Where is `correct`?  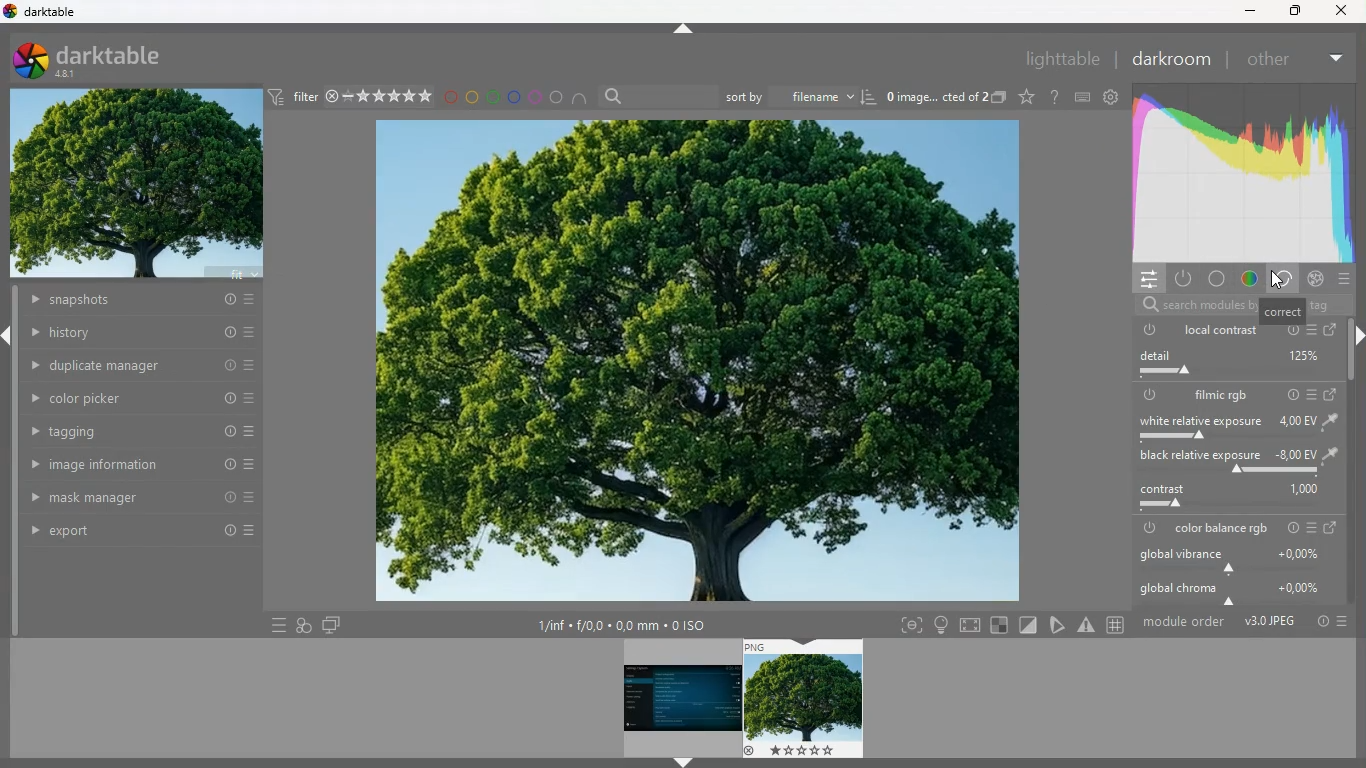
correct is located at coordinates (1245, 170).